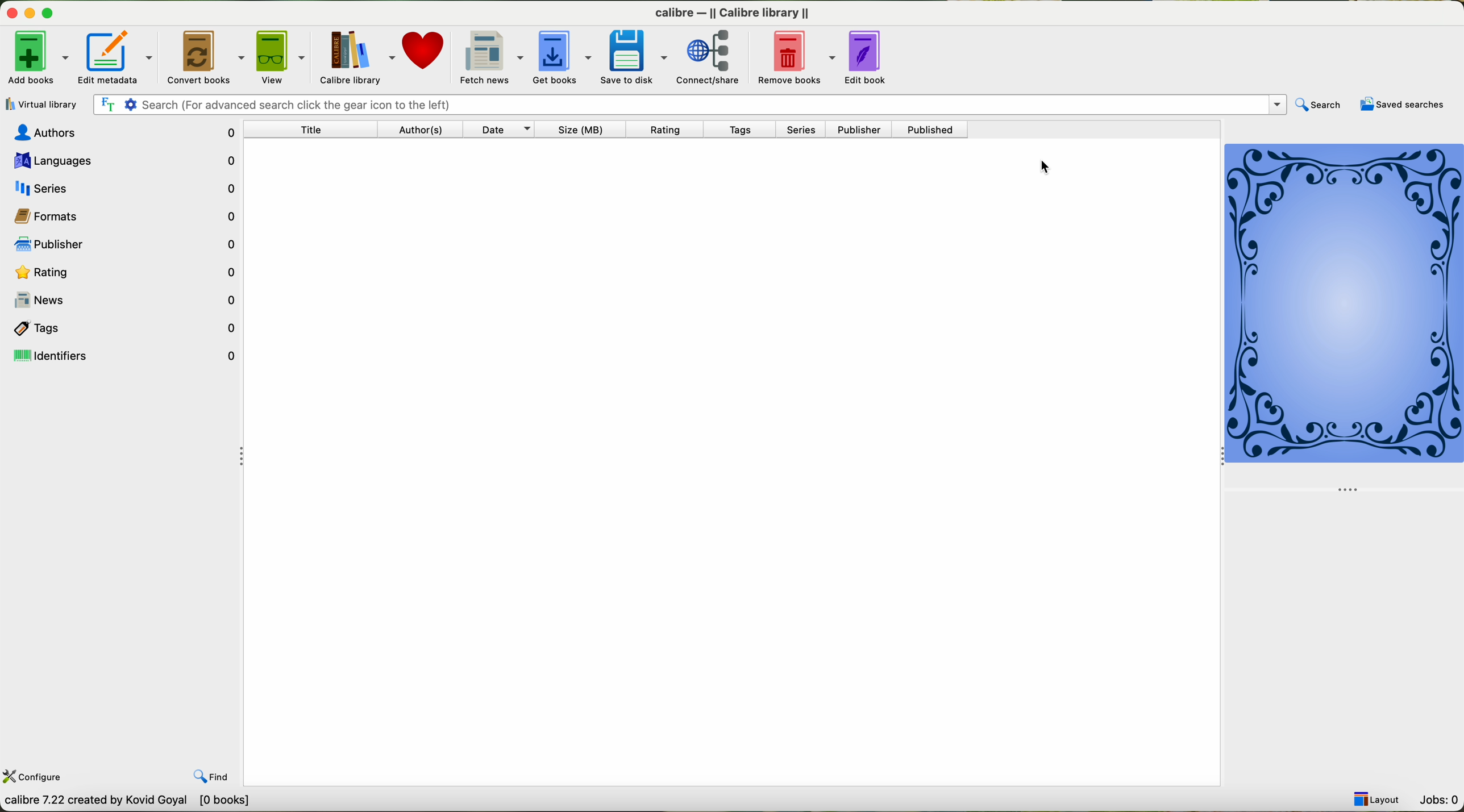 This screenshot has width=1464, height=812. I want to click on calibre — || Calibre Library ||, so click(731, 11).